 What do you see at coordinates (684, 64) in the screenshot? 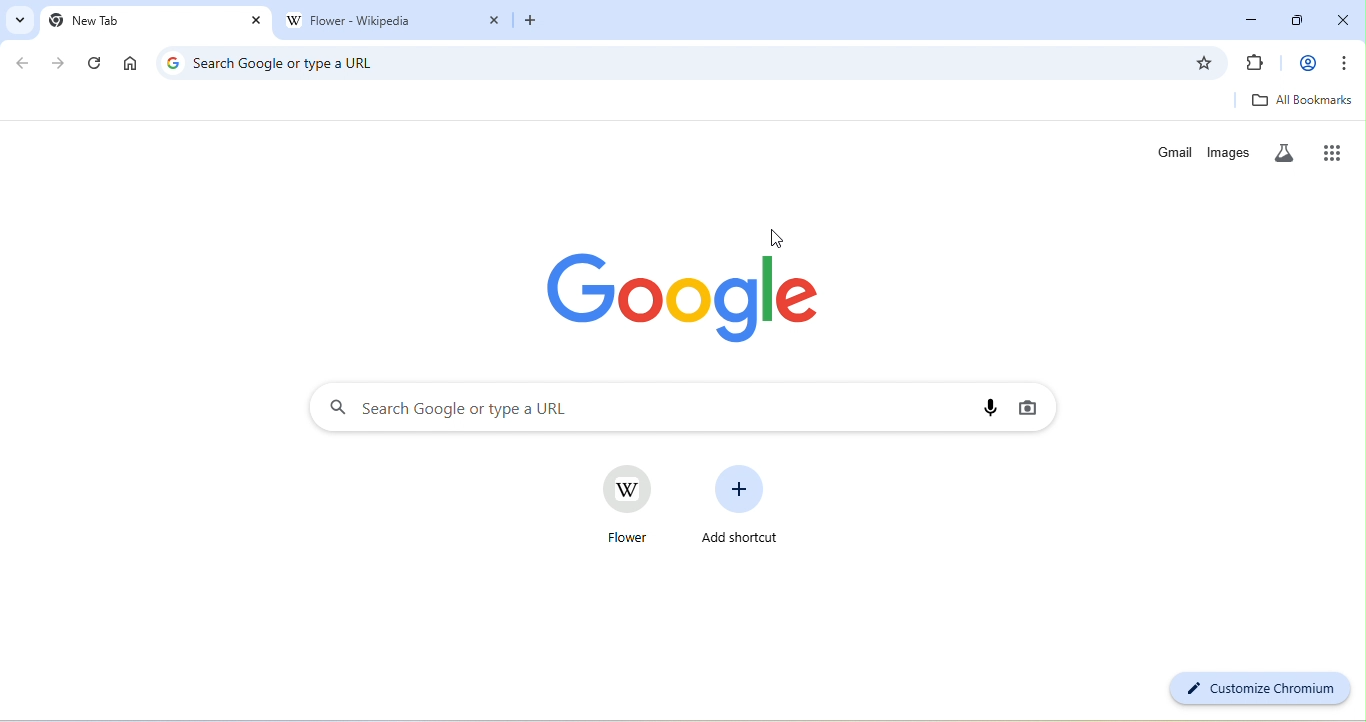
I see `search google or type a URL` at bounding box center [684, 64].